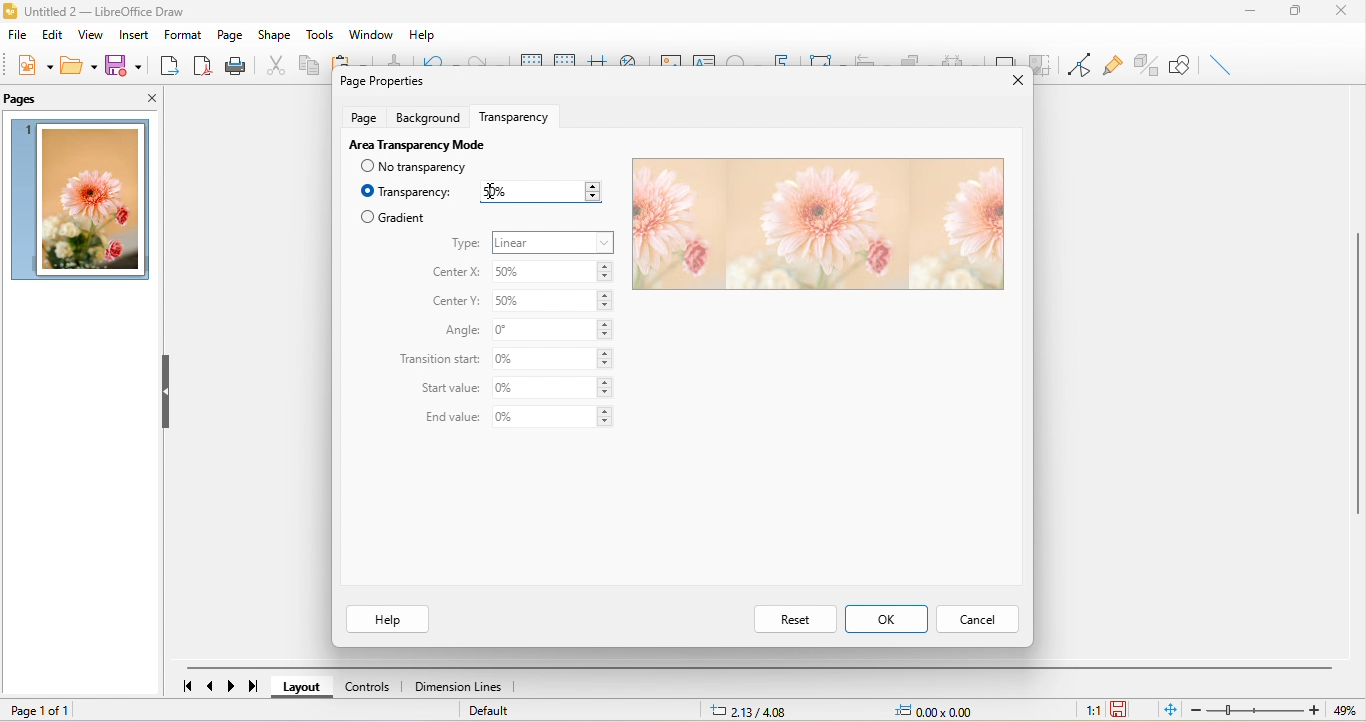 The height and width of the screenshot is (722, 1366). Describe the element at coordinates (1112, 62) in the screenshot. I see `glue point function` at that location.